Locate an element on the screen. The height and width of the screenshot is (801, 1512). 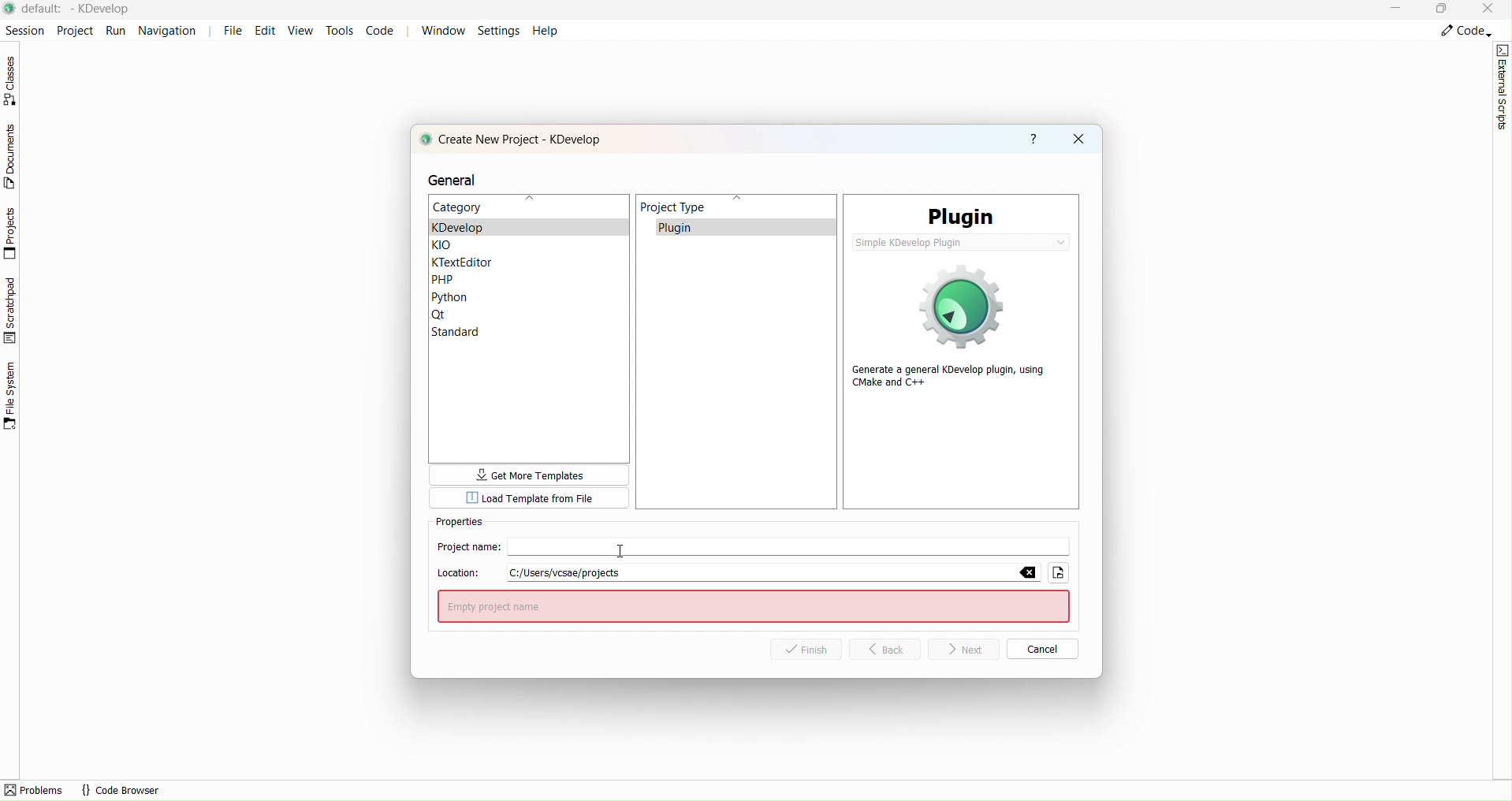
Box is located at coordinates (1443, 10).